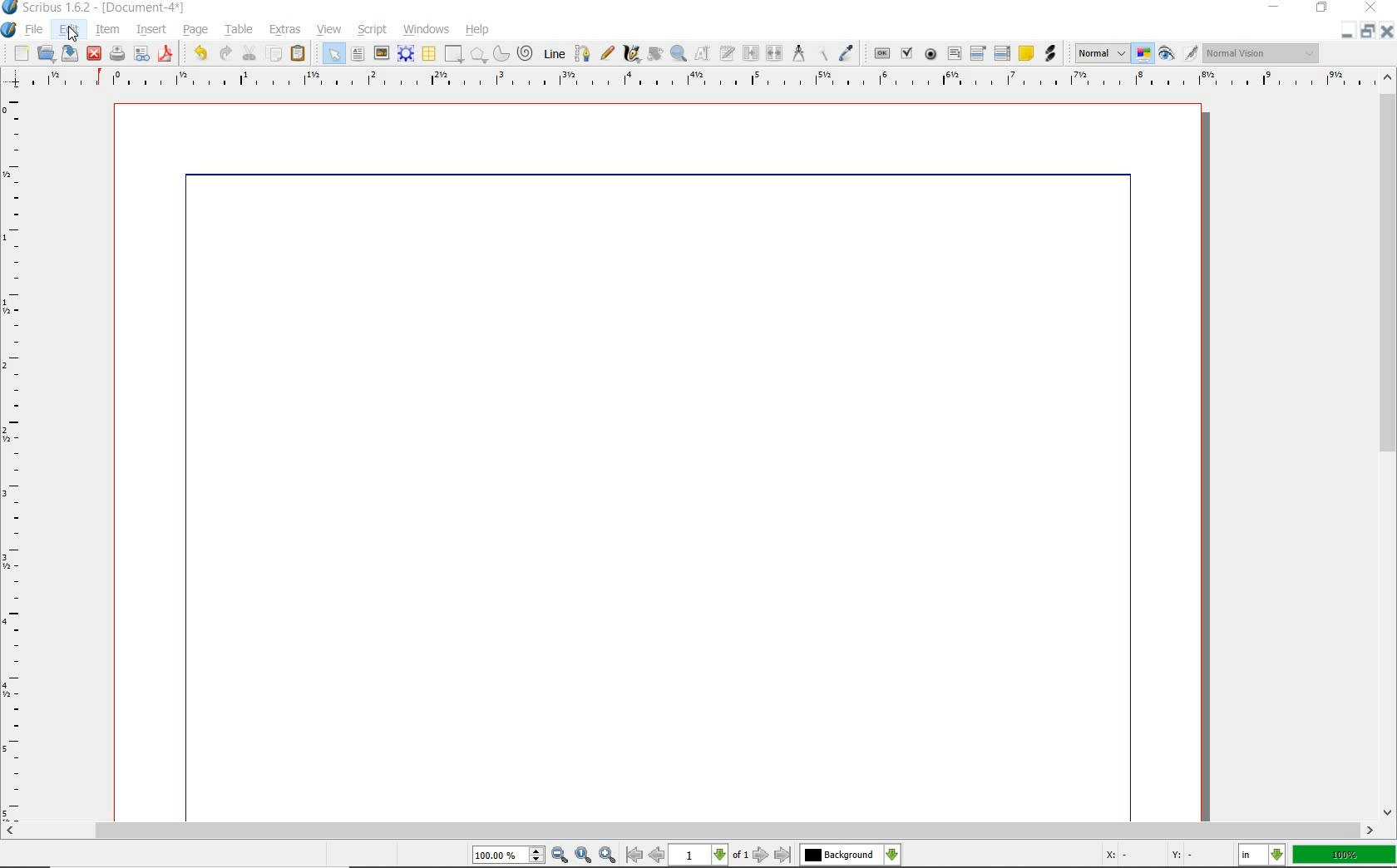  Describe the element at coordinates (15, 454) in the screenshot. I see `ruler` at that location.